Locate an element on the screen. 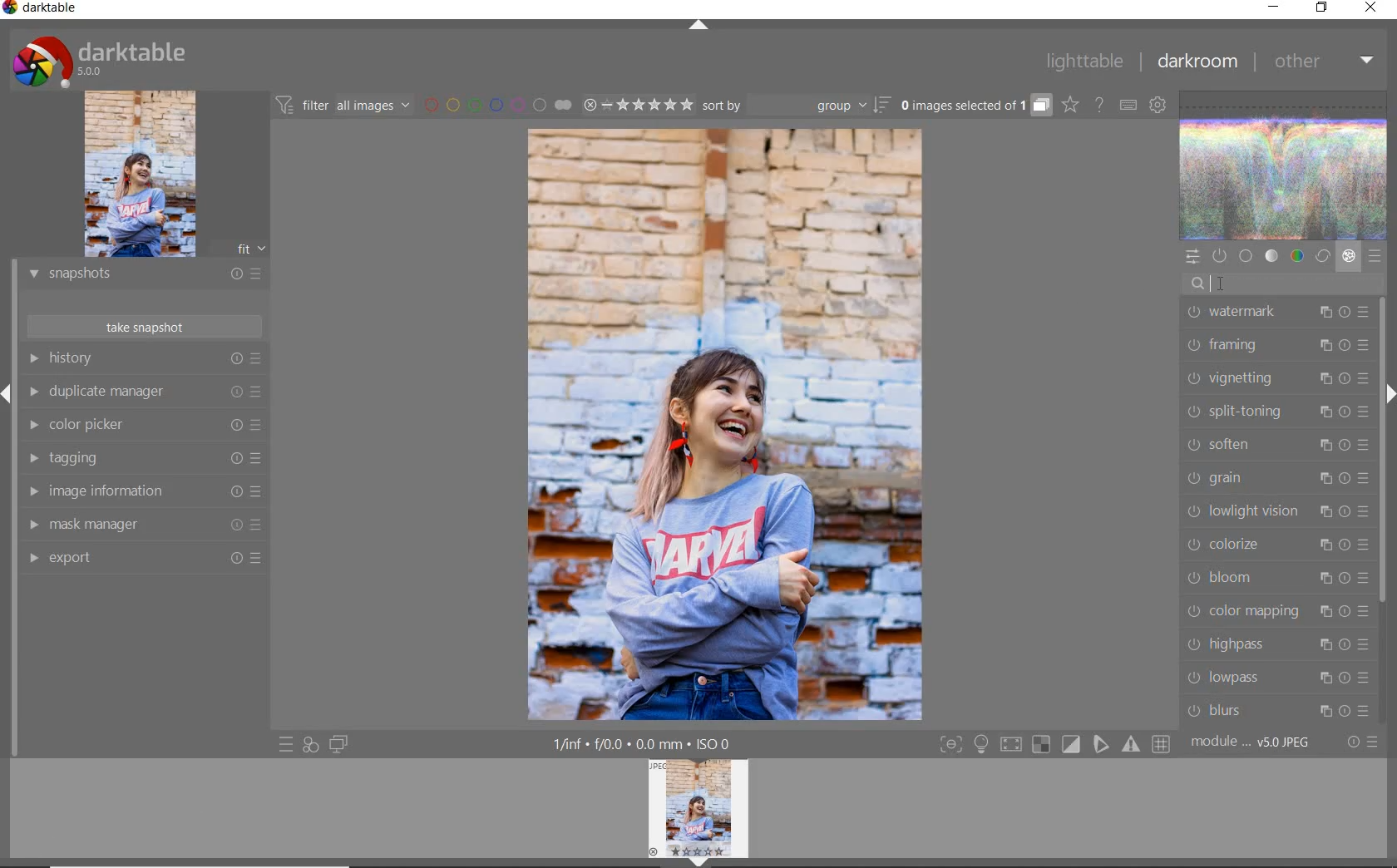 The width and height of the screenshot is (1397, 868). watermark is located at coordinates (1278, 313).